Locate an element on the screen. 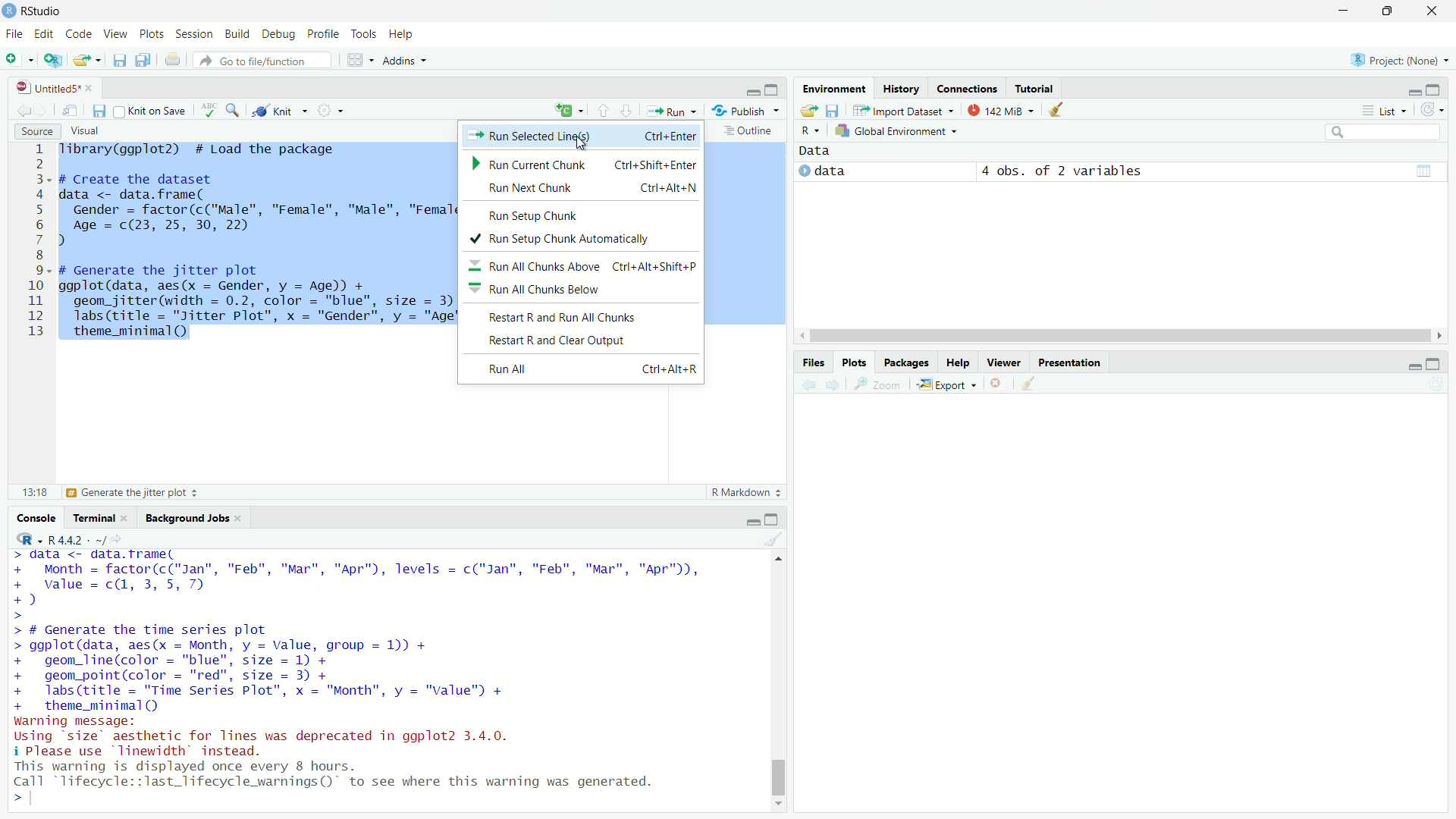 Image resolution: width=1456 pixels, height=819 pixels. maximize is located at coordinates (776, 518).